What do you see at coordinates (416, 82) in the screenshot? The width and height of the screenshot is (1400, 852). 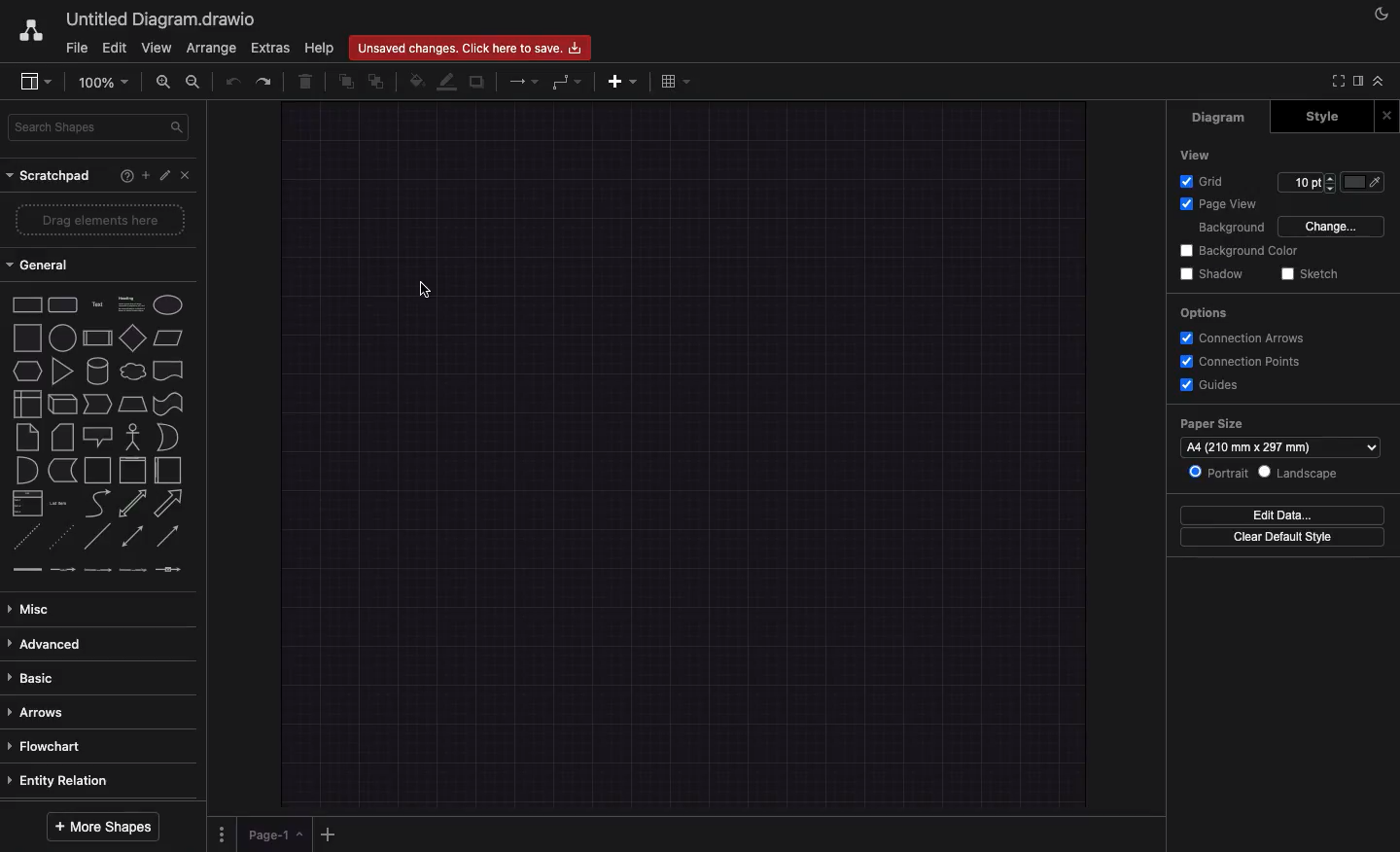 I see `Fill color` at bounding box center [416, 82].